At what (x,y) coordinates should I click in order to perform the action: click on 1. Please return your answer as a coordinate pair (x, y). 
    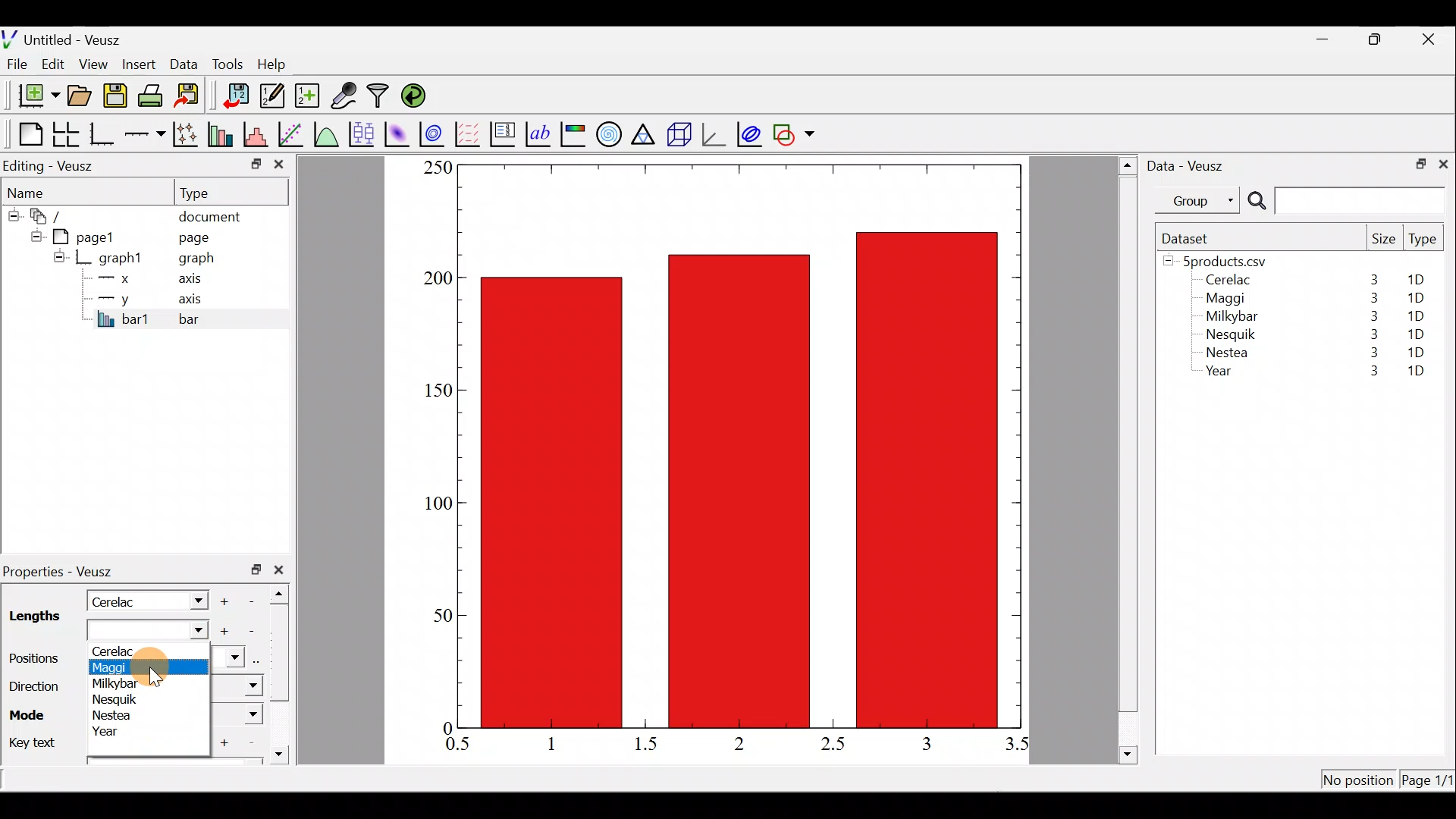
    Looking at the image, I should click on (563, 743).